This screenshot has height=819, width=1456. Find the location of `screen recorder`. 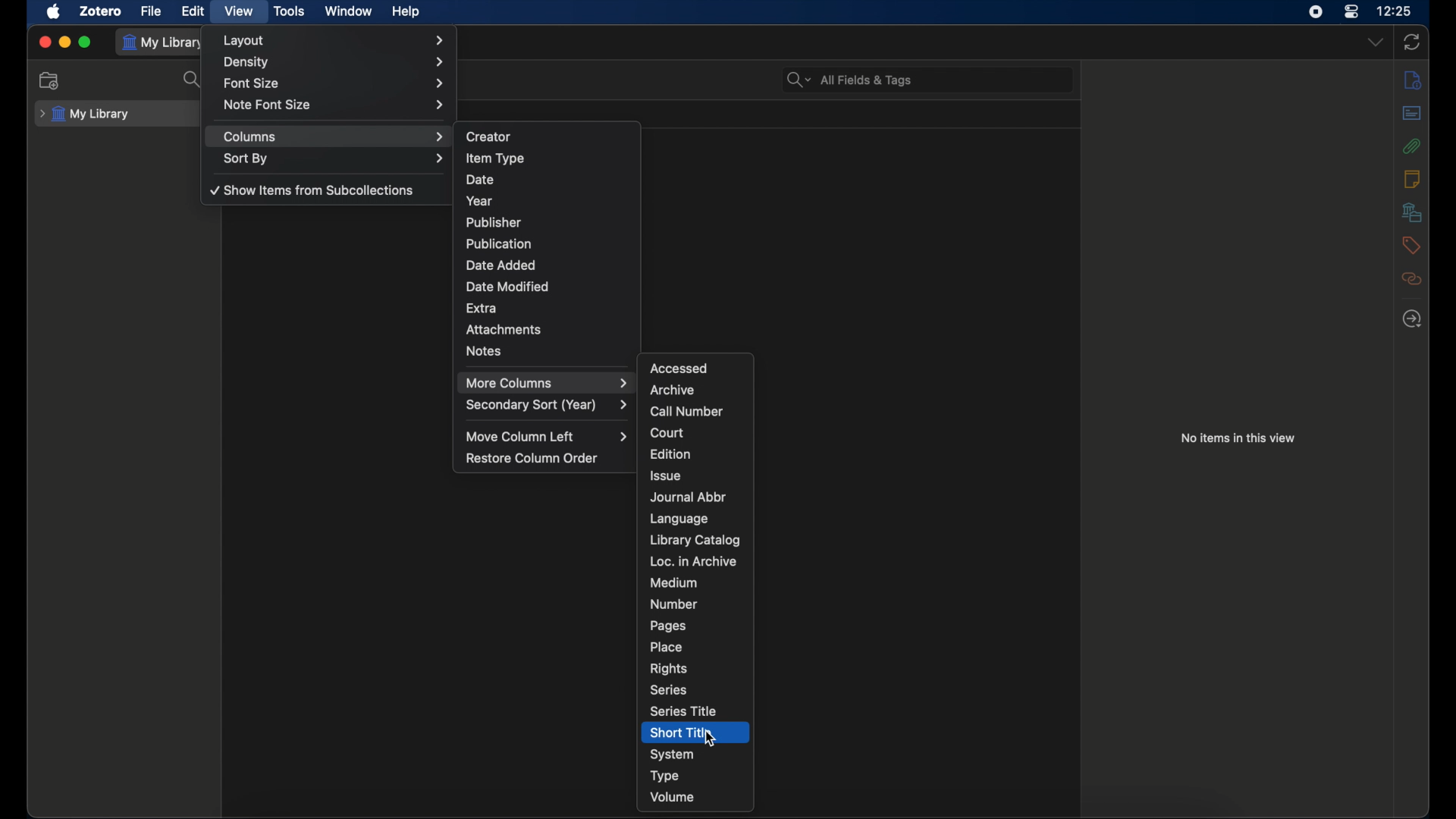

screen recorder is located at coordinates (1318, 11).